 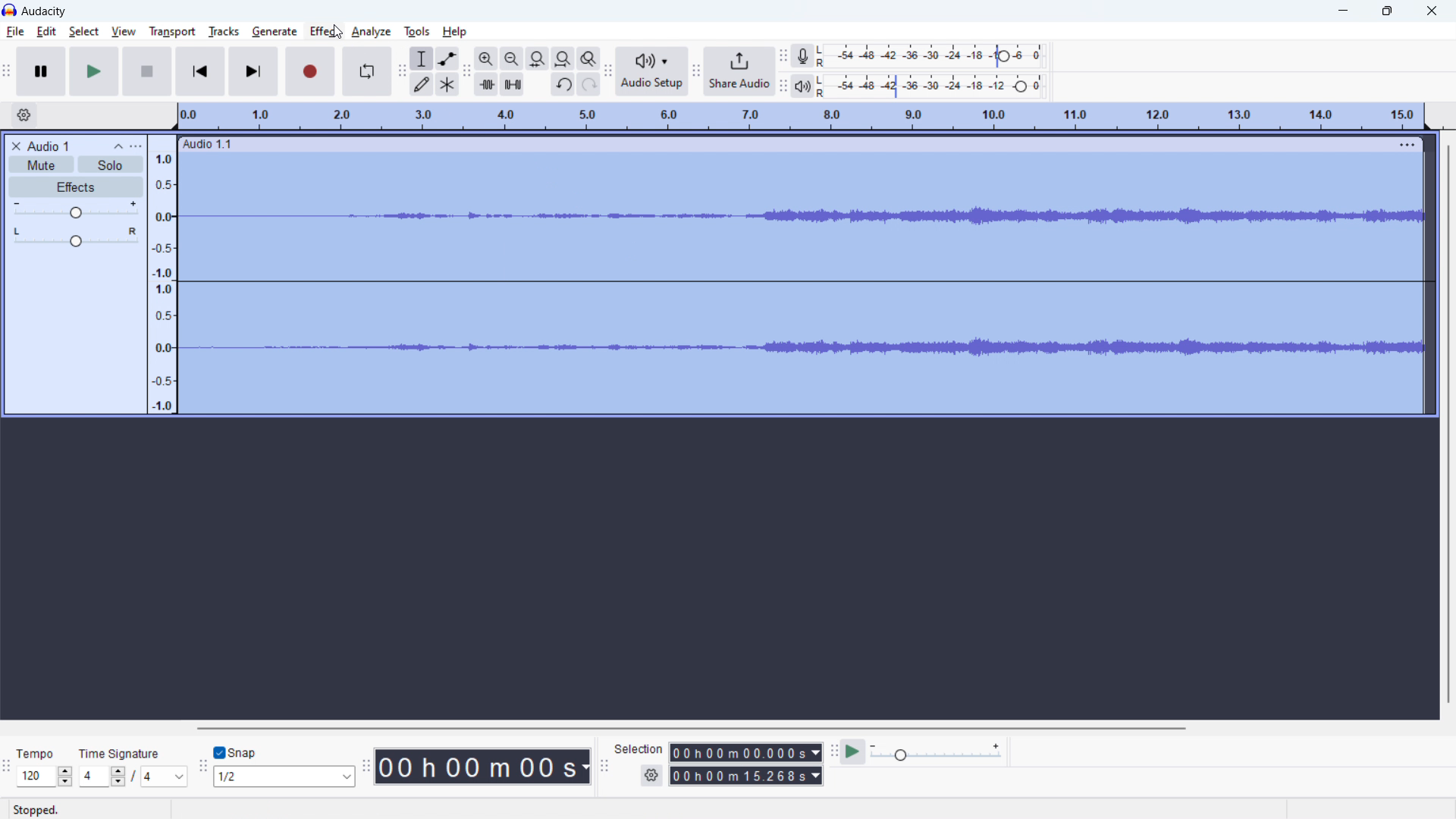 What do you see at coordinates (447, 83) in the screenshot?
I see `multi tool` at bounding box center [447, 83].